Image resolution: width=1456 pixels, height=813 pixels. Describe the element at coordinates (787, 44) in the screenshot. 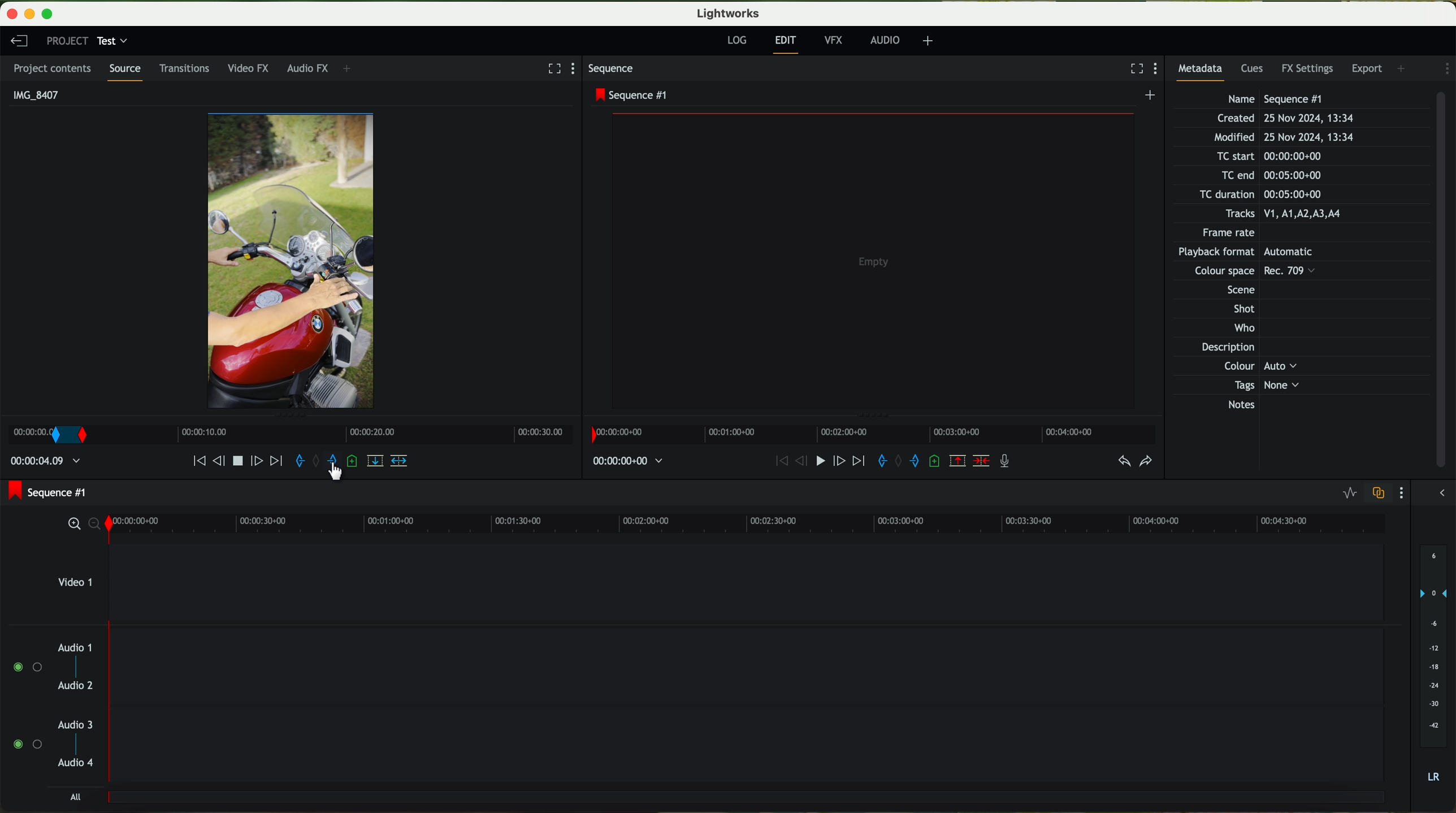

I see `edit` at that location.